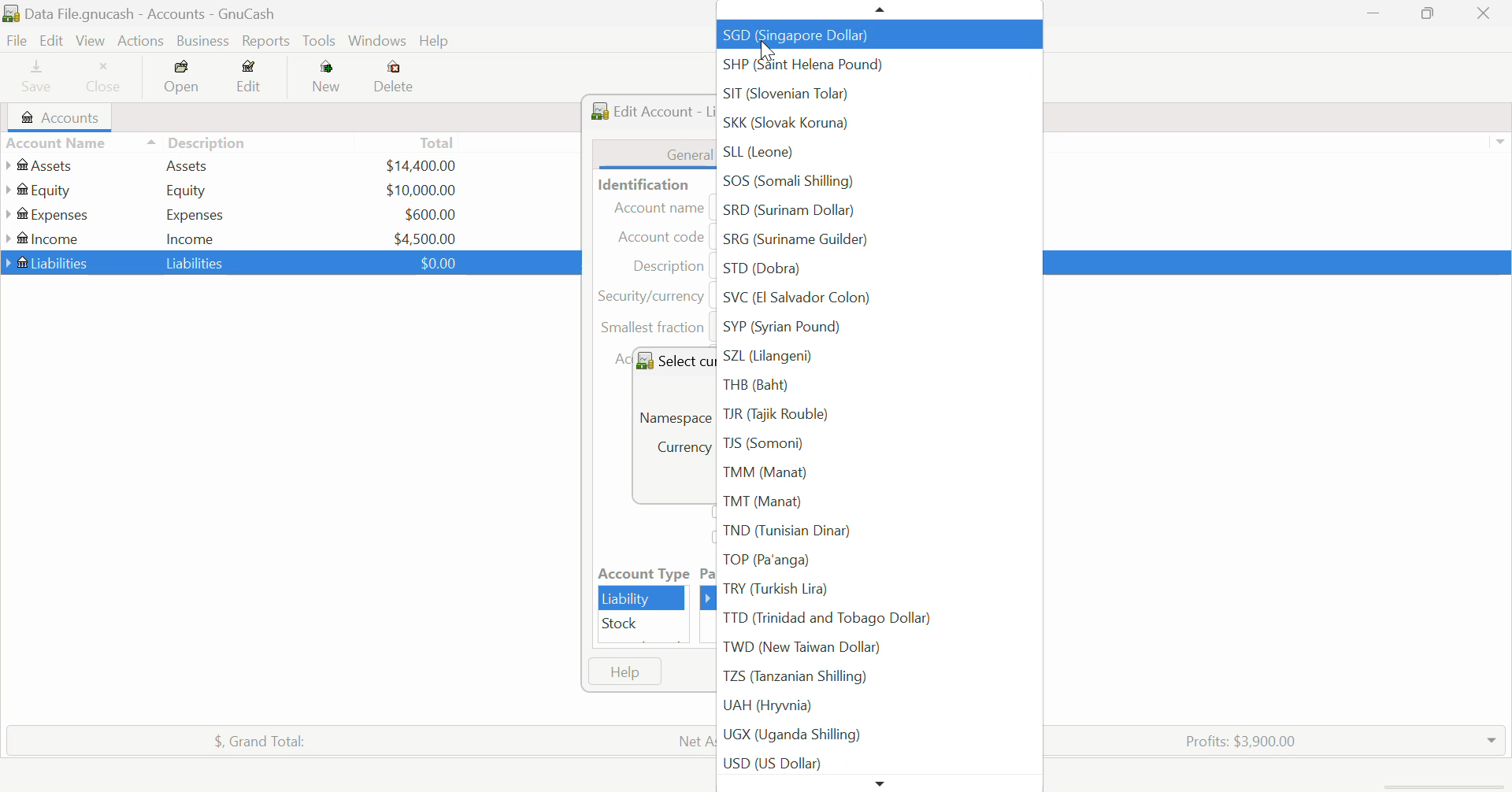 The width and height of the screenshot is (1512, 792). I want to click on TTD, so click(876, 619).